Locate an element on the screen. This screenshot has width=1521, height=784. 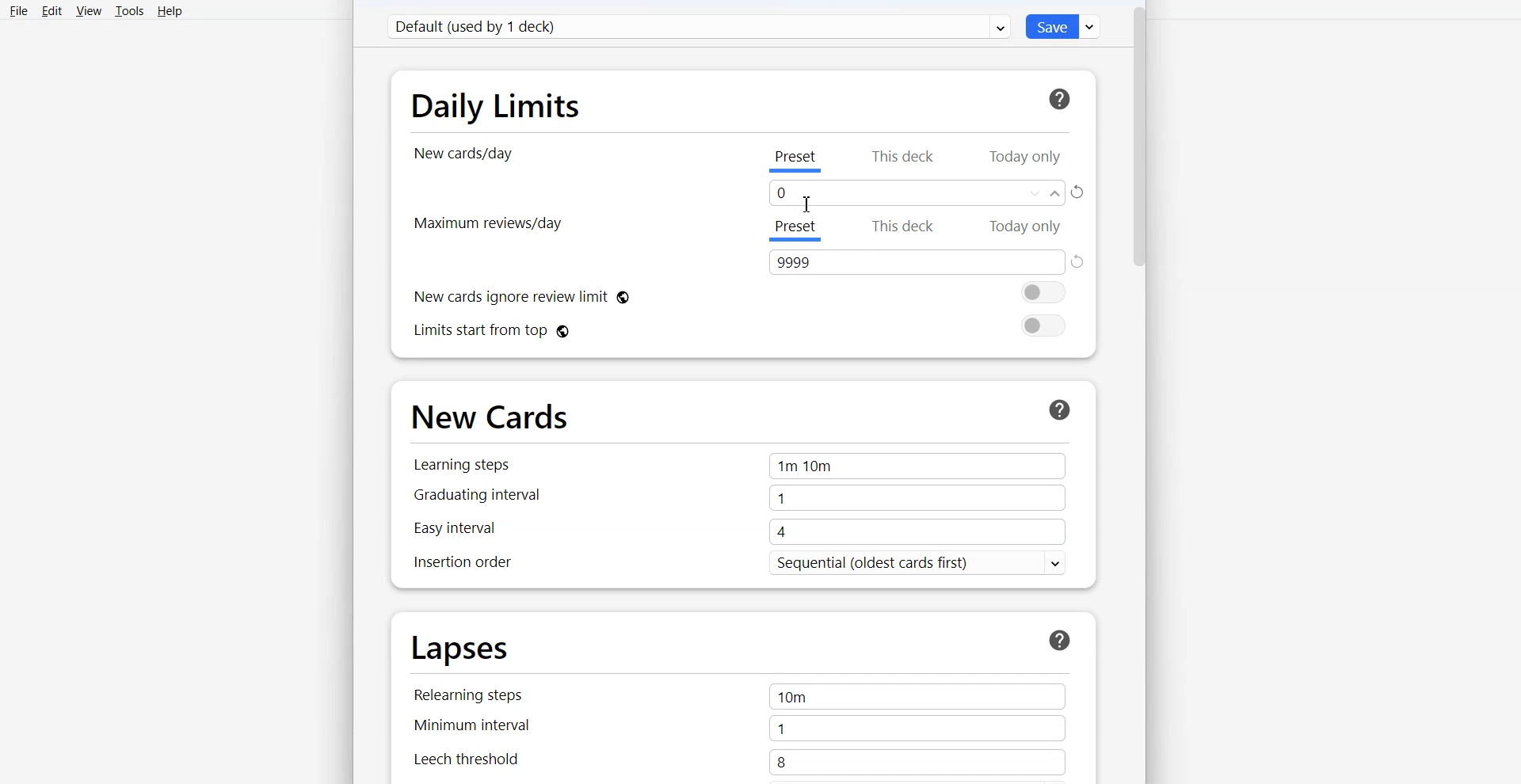
Relearning steps is located at coordinates (481, 698).